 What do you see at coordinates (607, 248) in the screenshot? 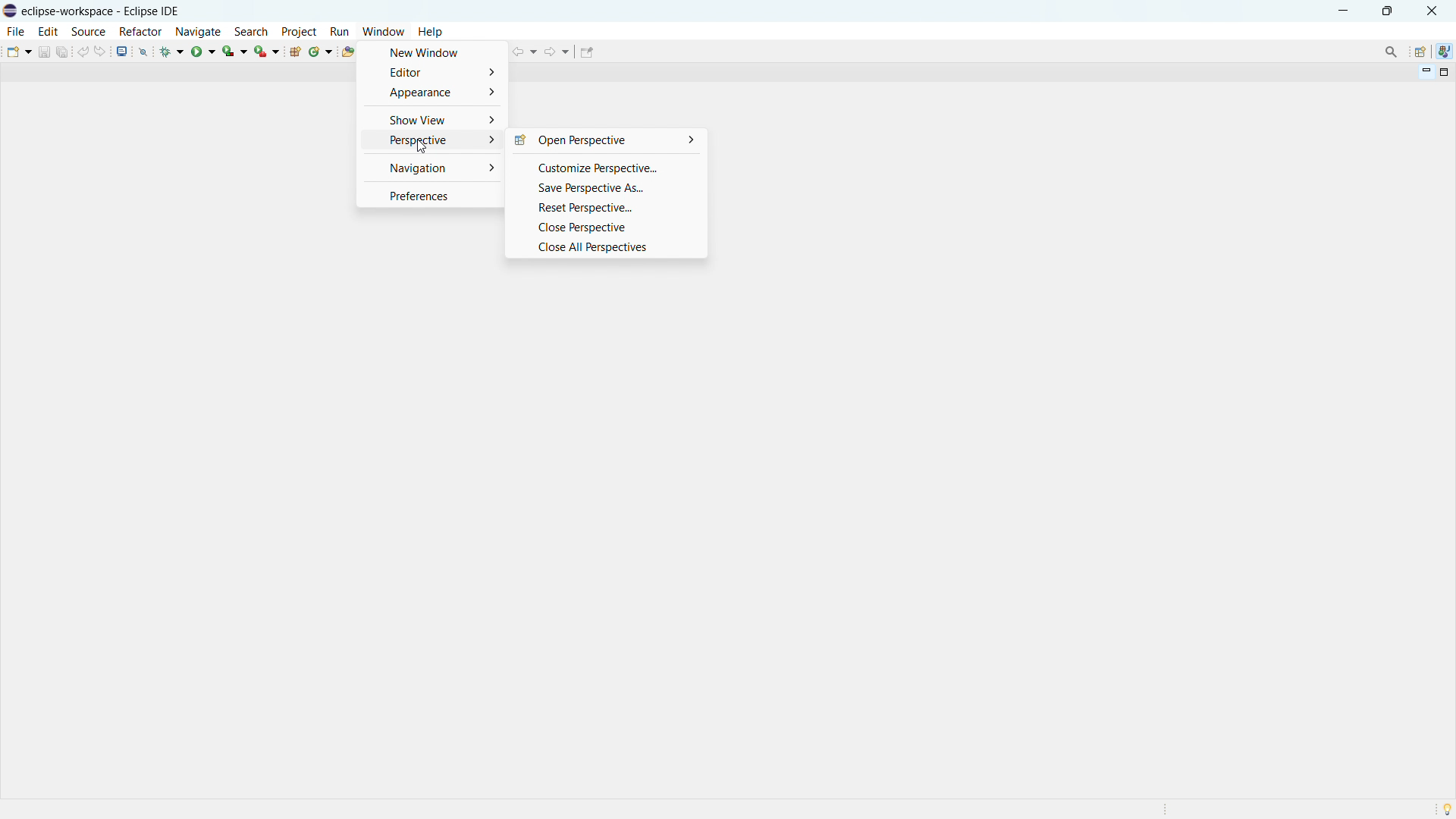
I see `close all perspectives` at bounding box center [607, 248].